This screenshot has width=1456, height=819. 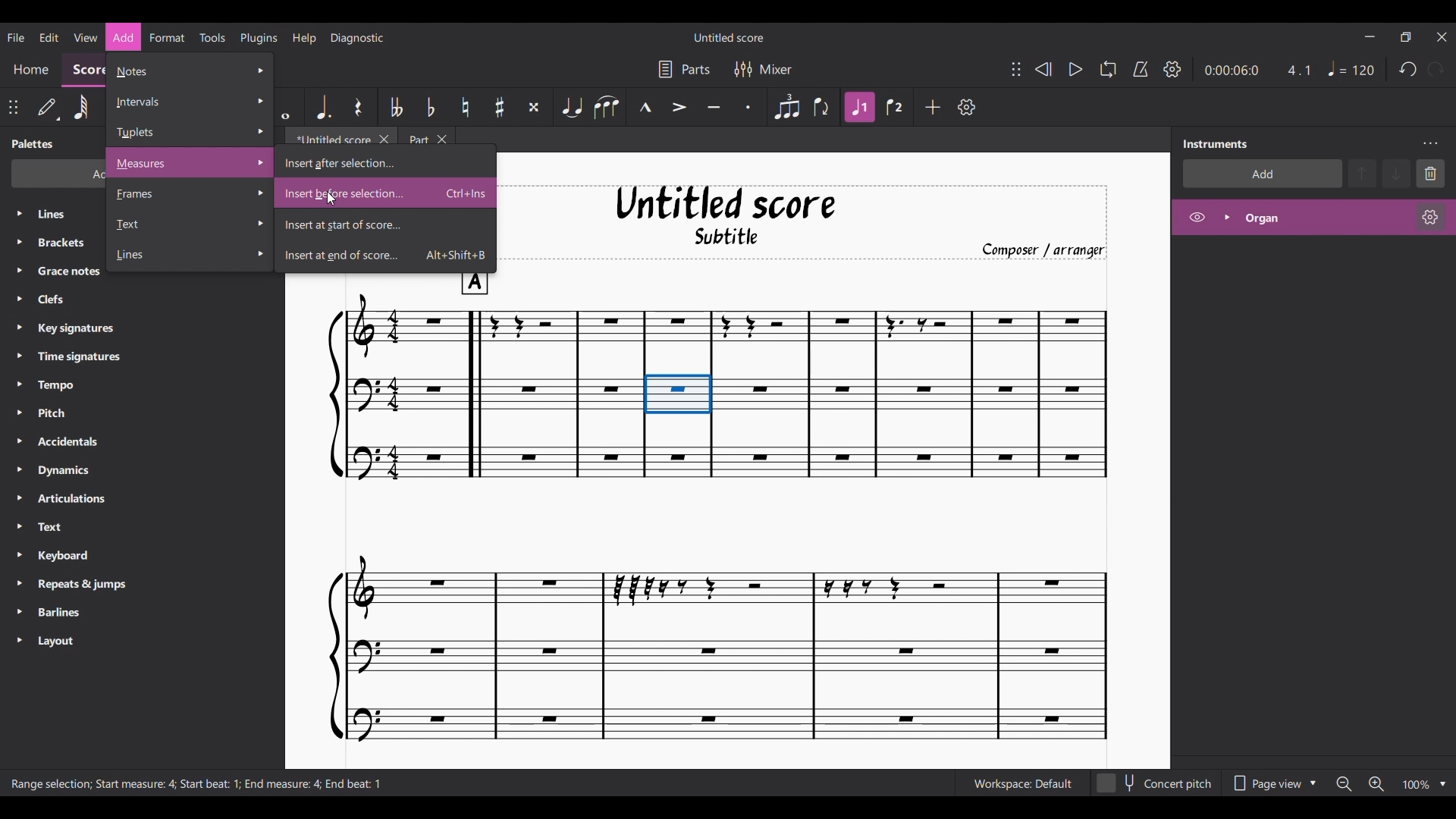 I want to click on Undo, so click(x=1407, y=70).